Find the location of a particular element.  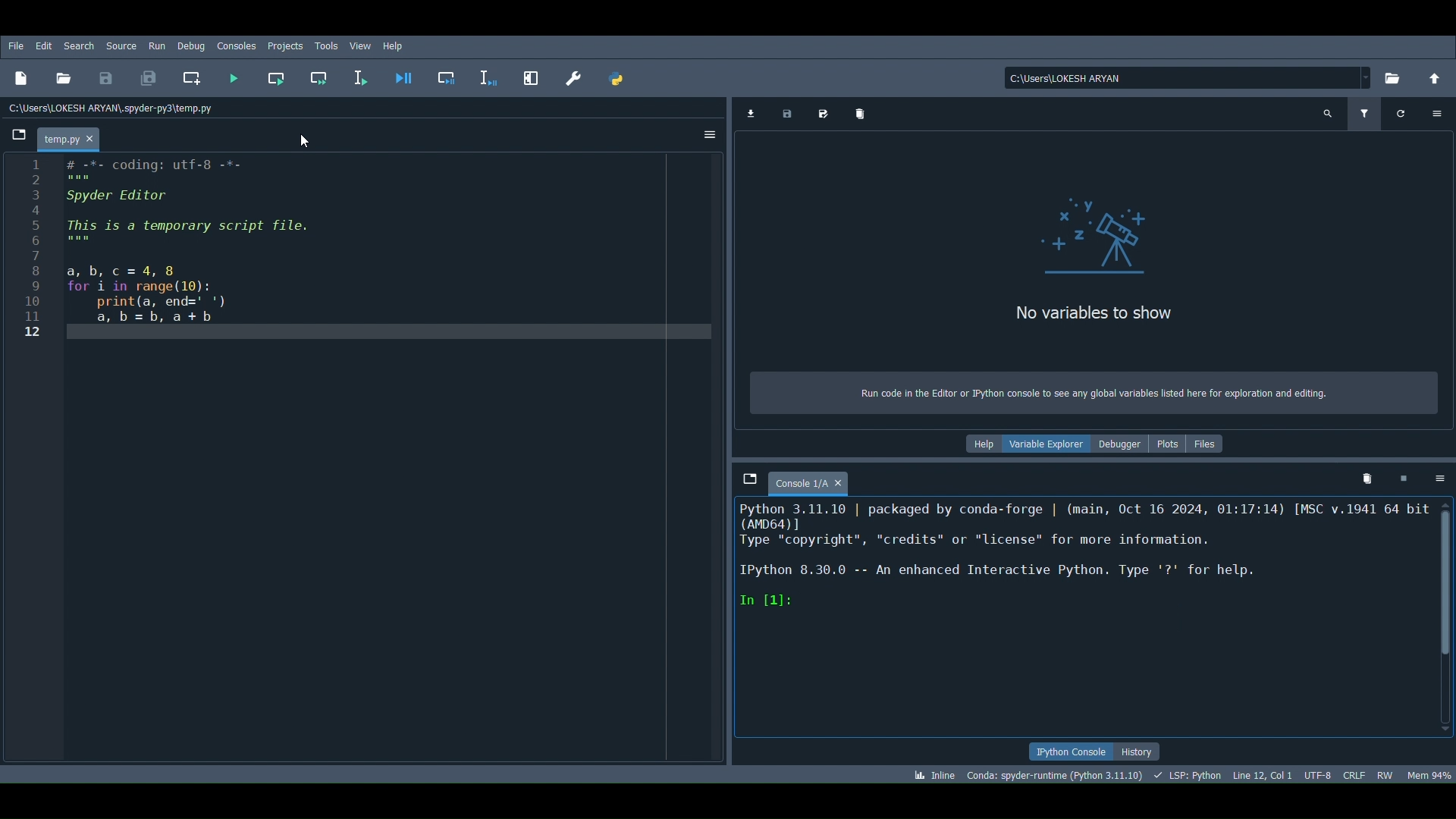

File is located at coordinates (15, 45).